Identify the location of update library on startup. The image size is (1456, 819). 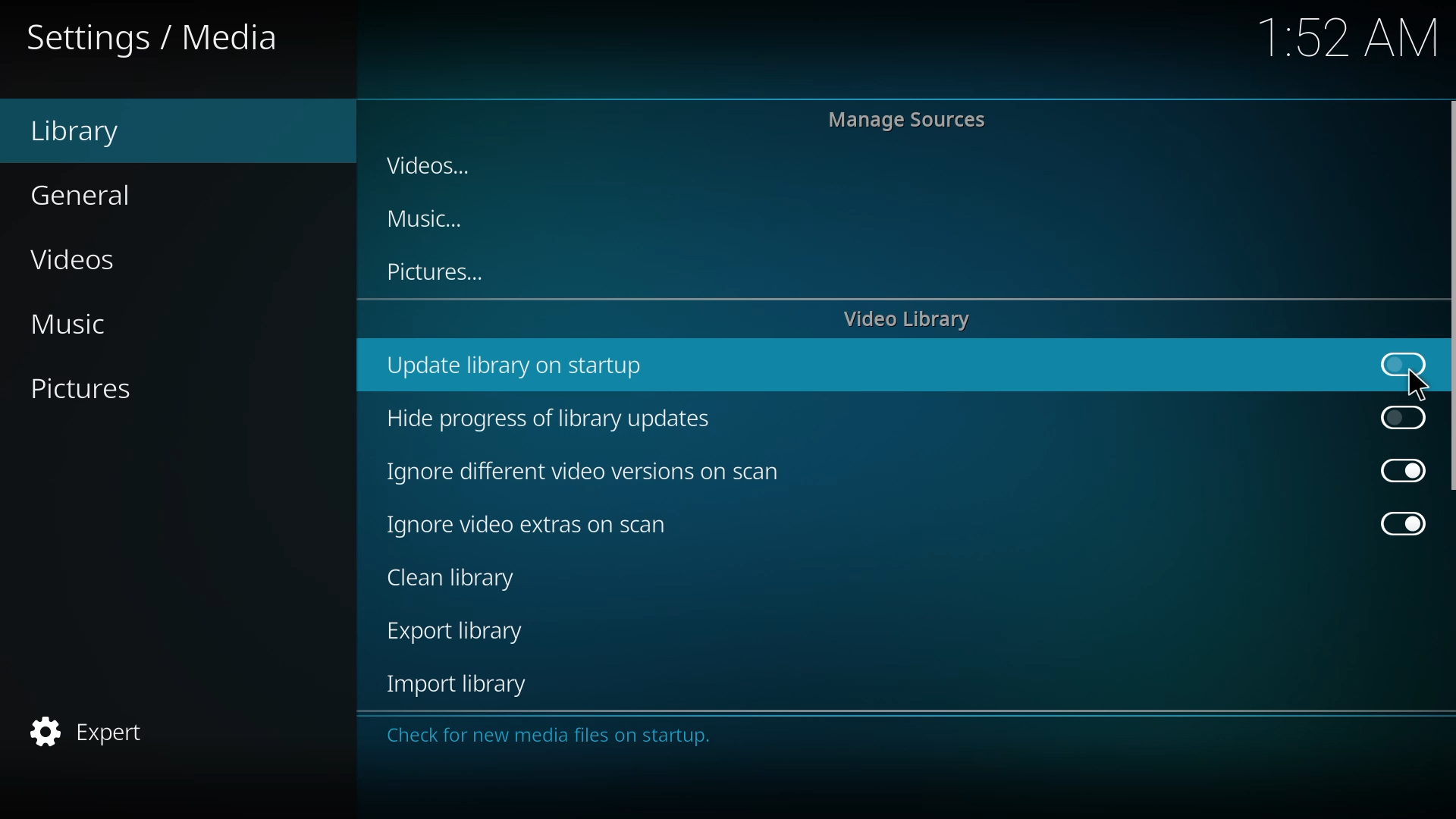
(522, 366).